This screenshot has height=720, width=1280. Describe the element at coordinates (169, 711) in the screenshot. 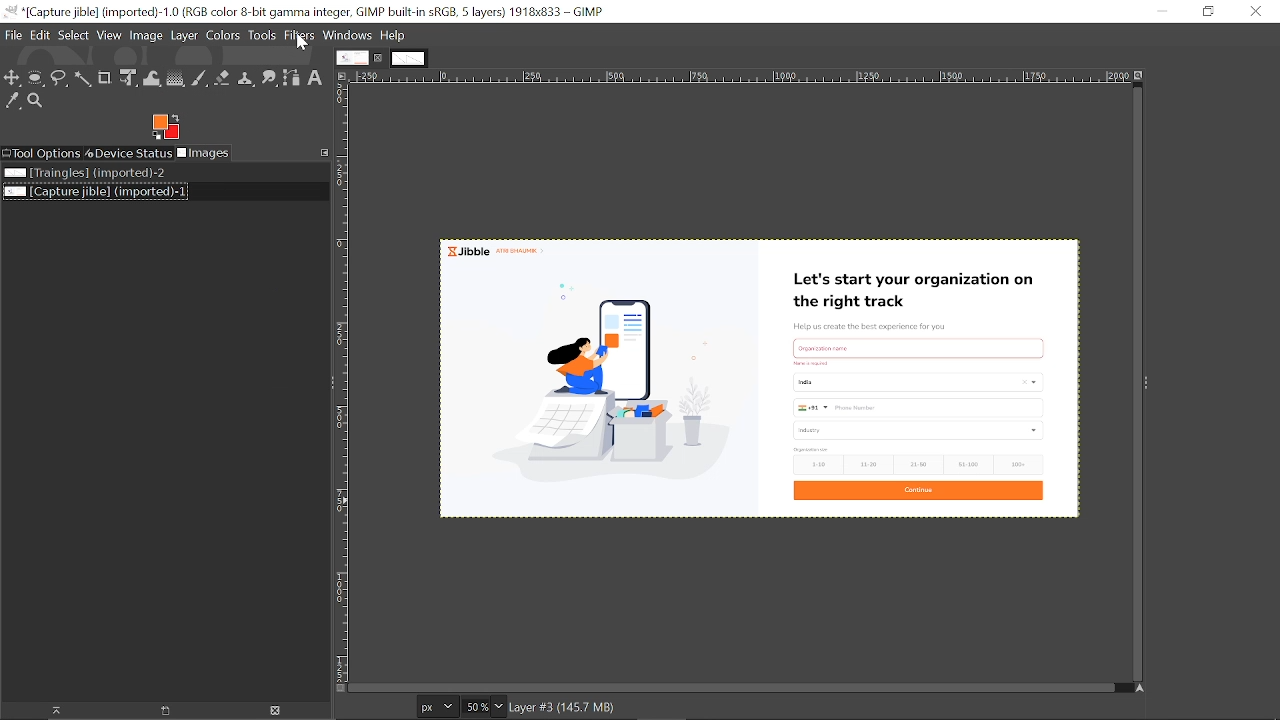

I see `Create a new display for this image` at that location.